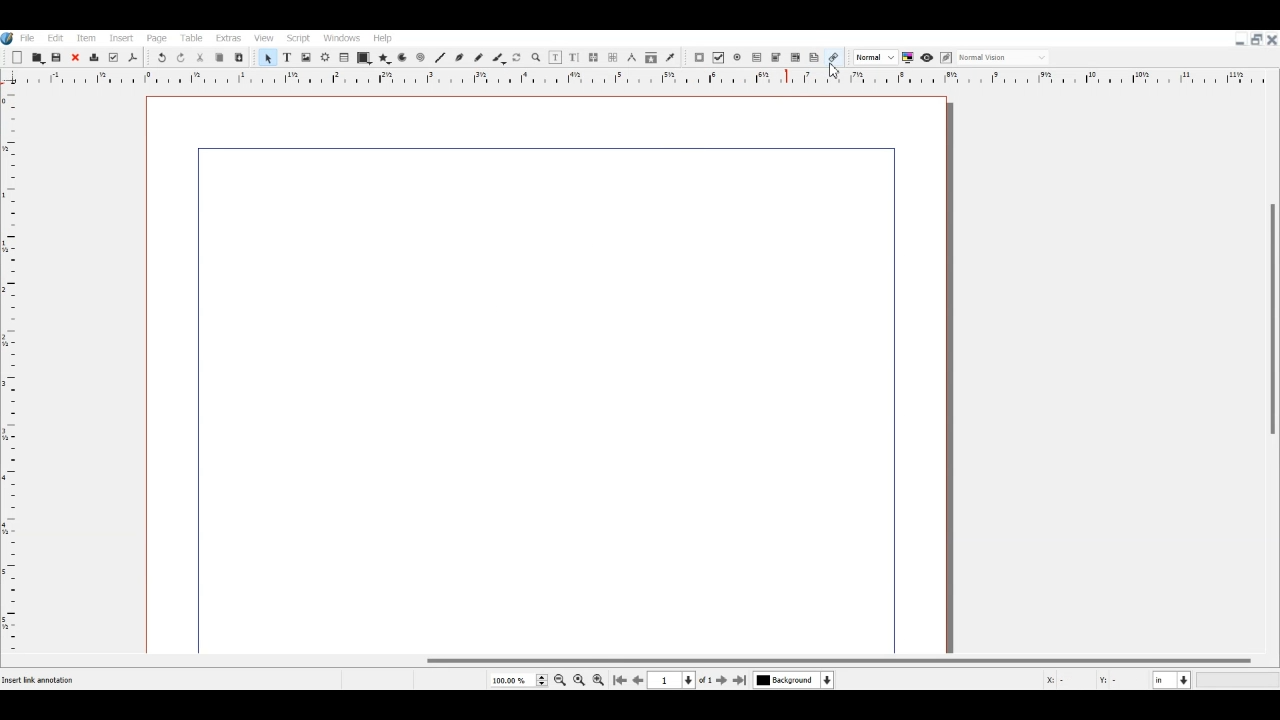  What do you see at coordinates (228, 38) in the screenshot?
I see `Extras` at bounding box center [228, 38].